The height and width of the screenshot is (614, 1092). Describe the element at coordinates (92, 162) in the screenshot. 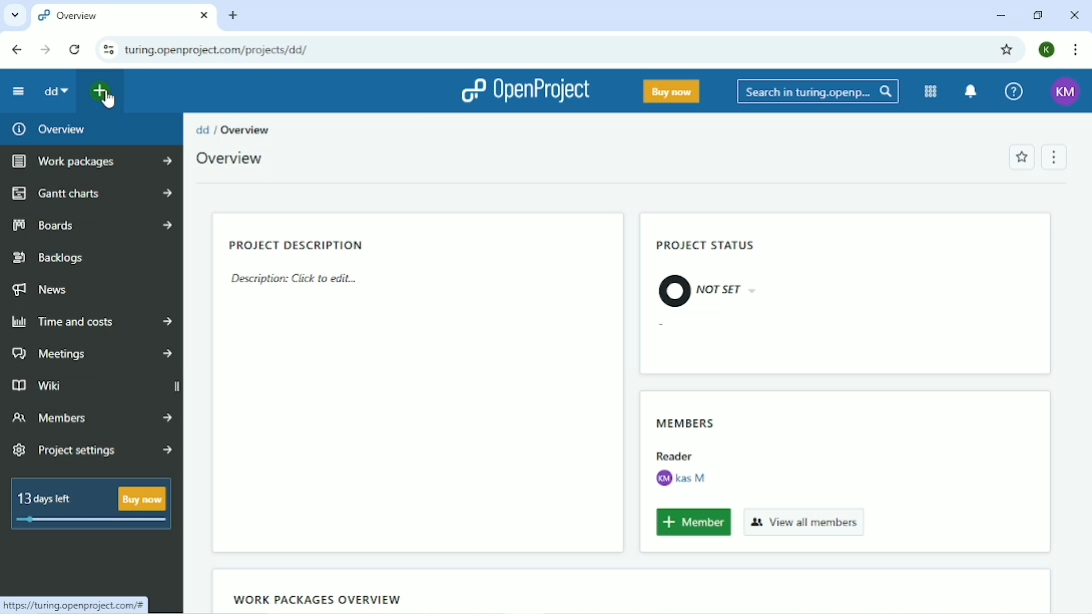

I see `Work packages` at that location.